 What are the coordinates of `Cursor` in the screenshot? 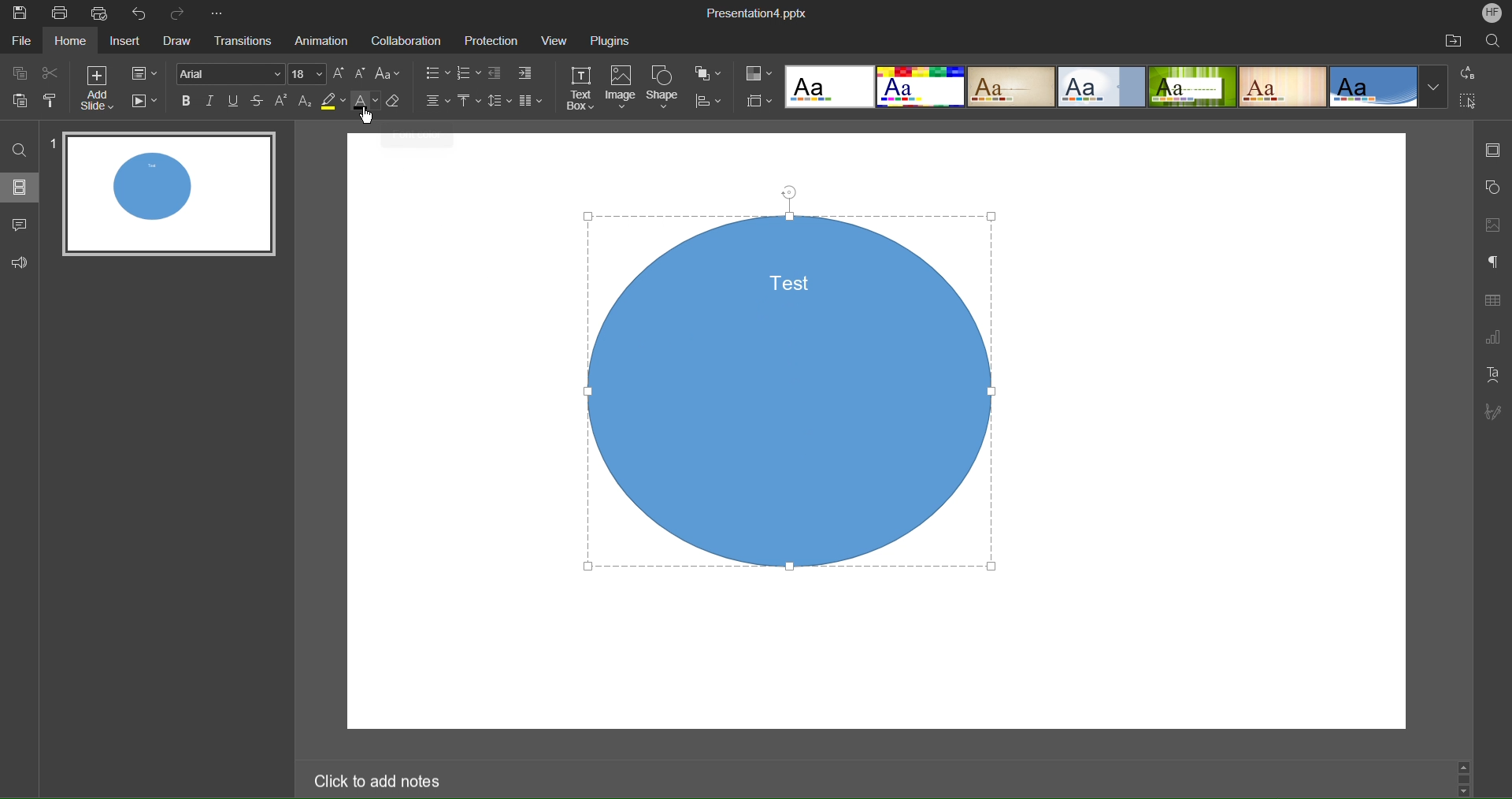 It's located at (366, 119).